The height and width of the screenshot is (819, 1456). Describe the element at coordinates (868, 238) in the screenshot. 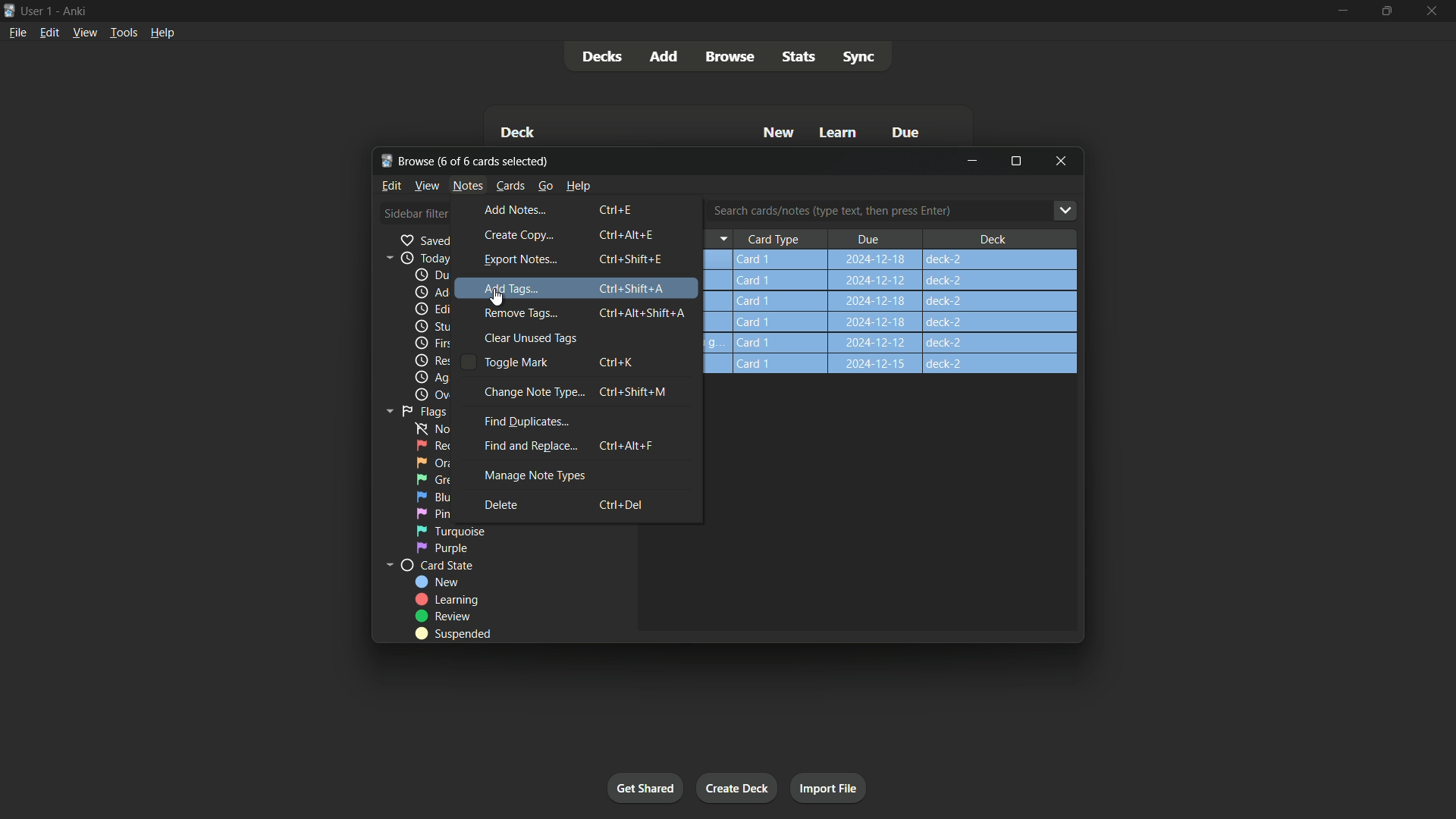

I see `Due` at that location.